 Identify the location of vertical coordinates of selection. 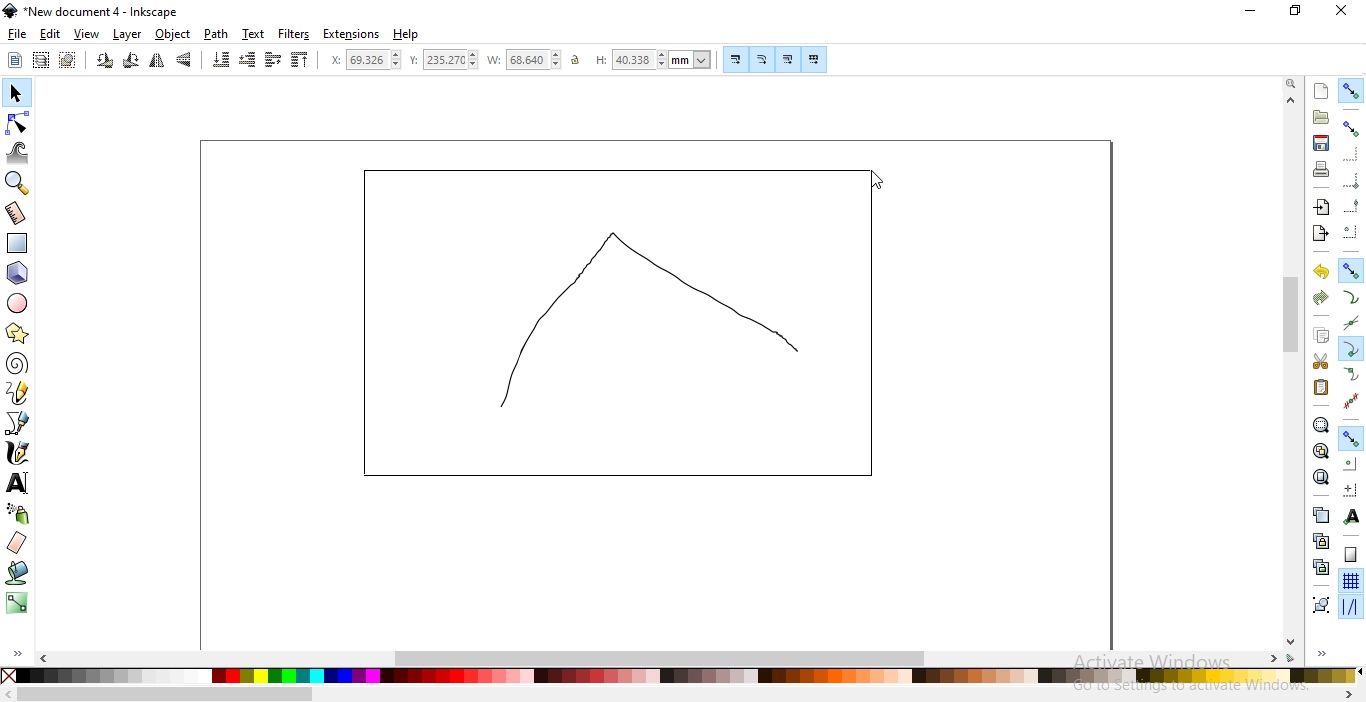
(443, 61).